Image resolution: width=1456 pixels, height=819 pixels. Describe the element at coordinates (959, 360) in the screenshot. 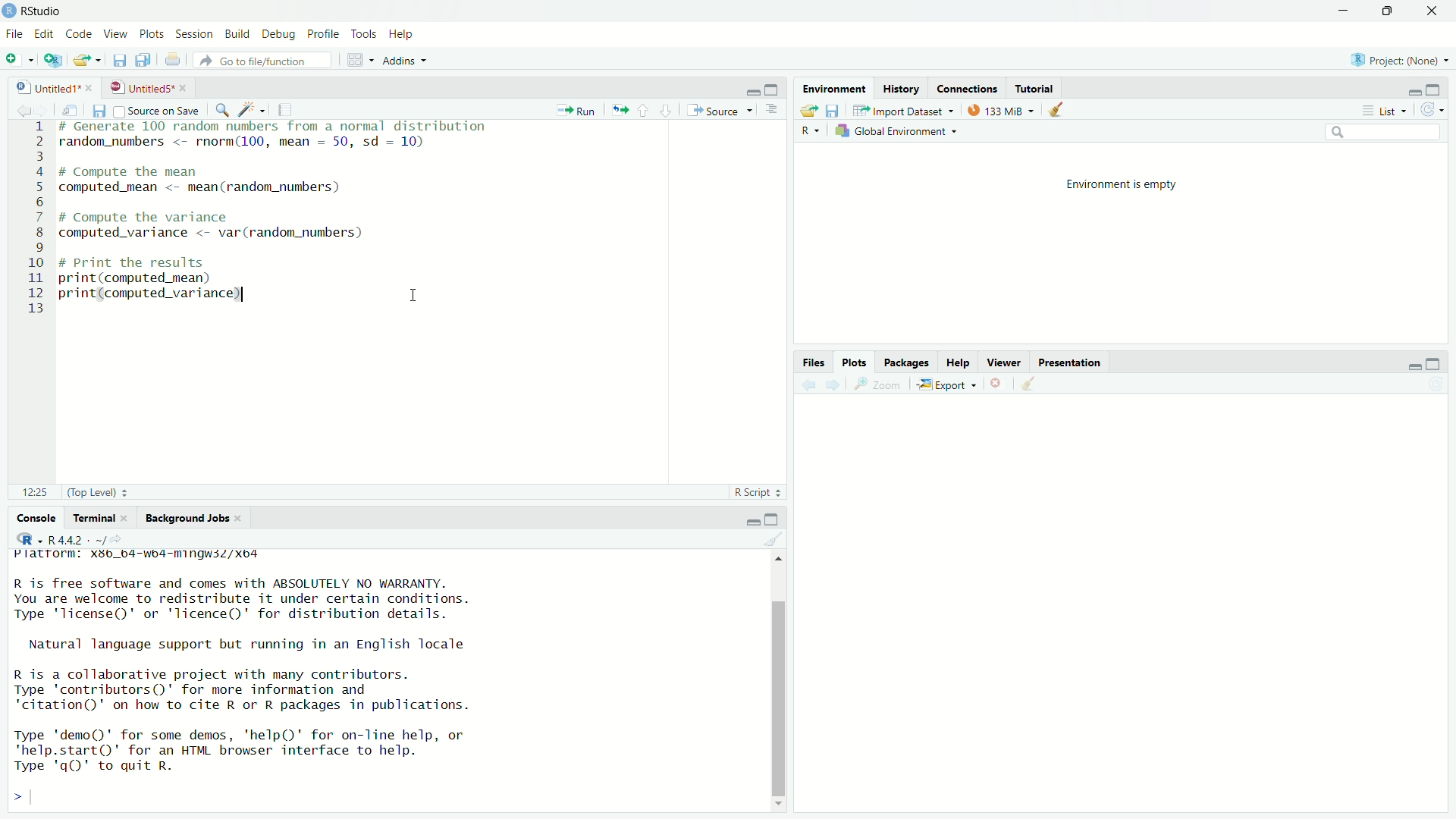

I see `help` at that location.